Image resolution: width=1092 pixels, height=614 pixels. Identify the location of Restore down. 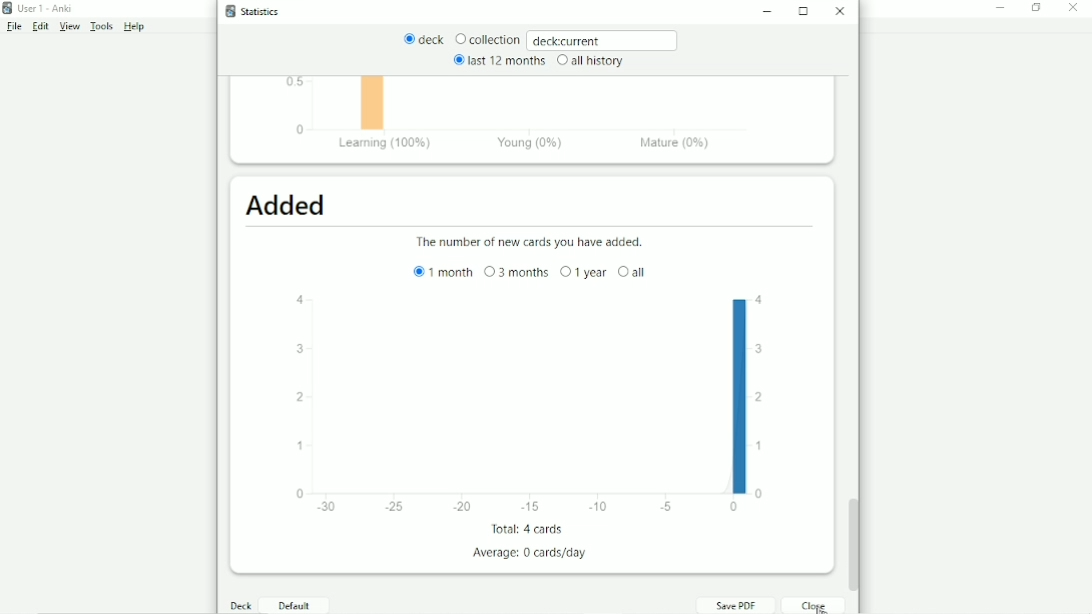
(1037, 8).